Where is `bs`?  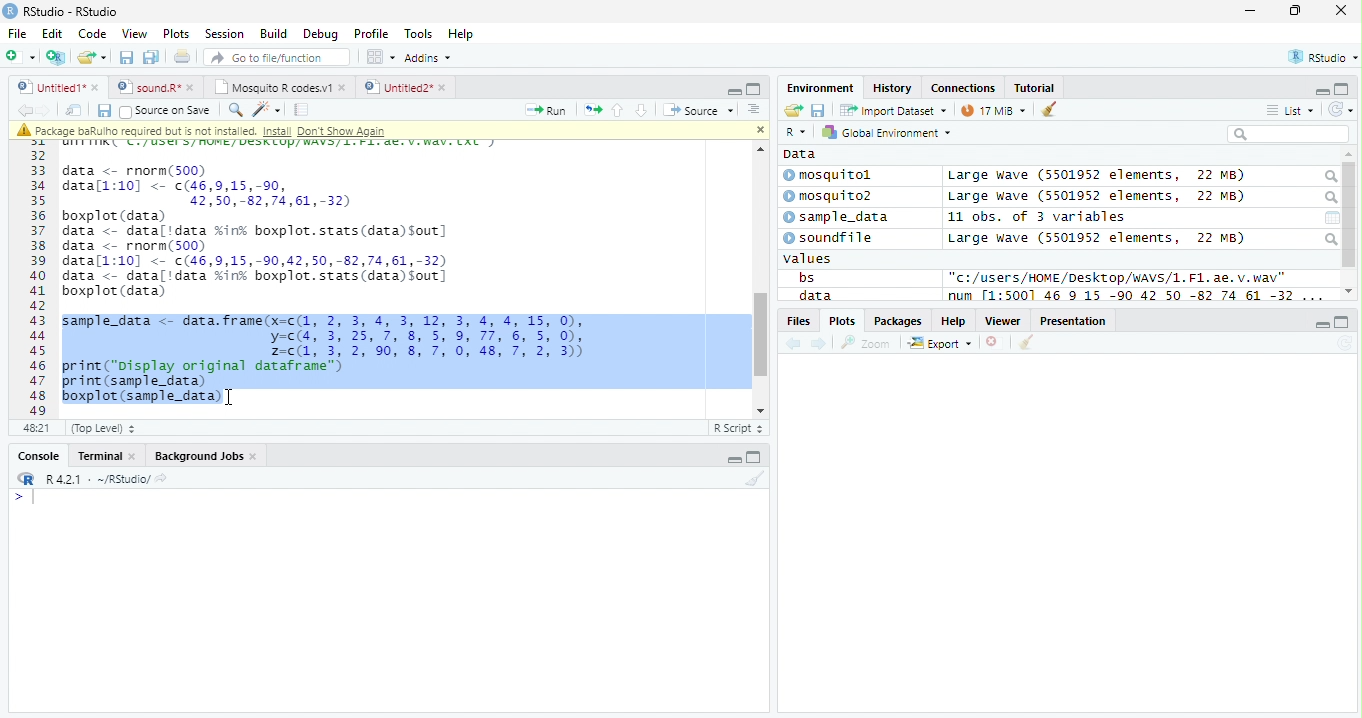
bs is located at coordinates (806, 277).